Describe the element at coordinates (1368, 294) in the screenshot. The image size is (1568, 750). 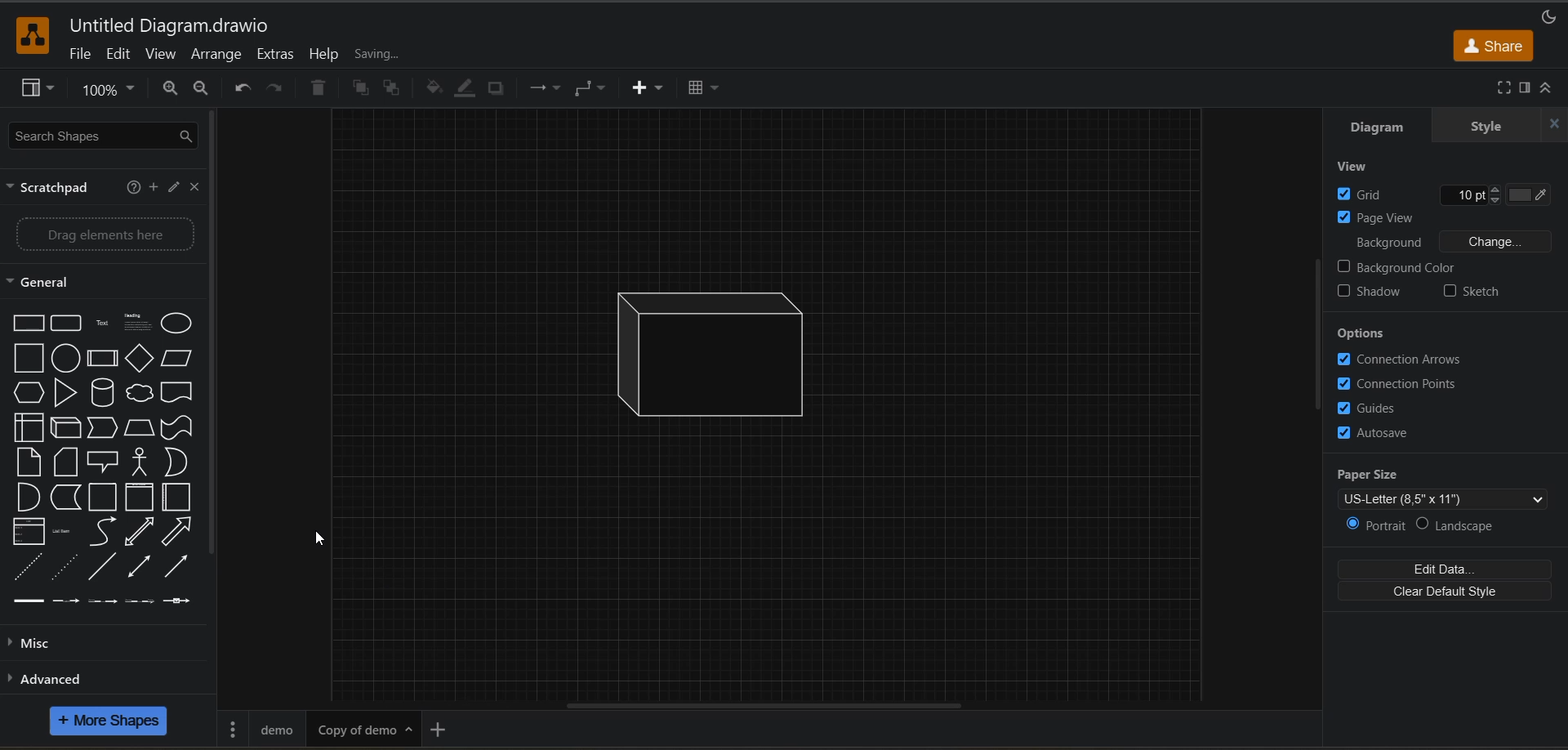
I see `shadow` at that location.